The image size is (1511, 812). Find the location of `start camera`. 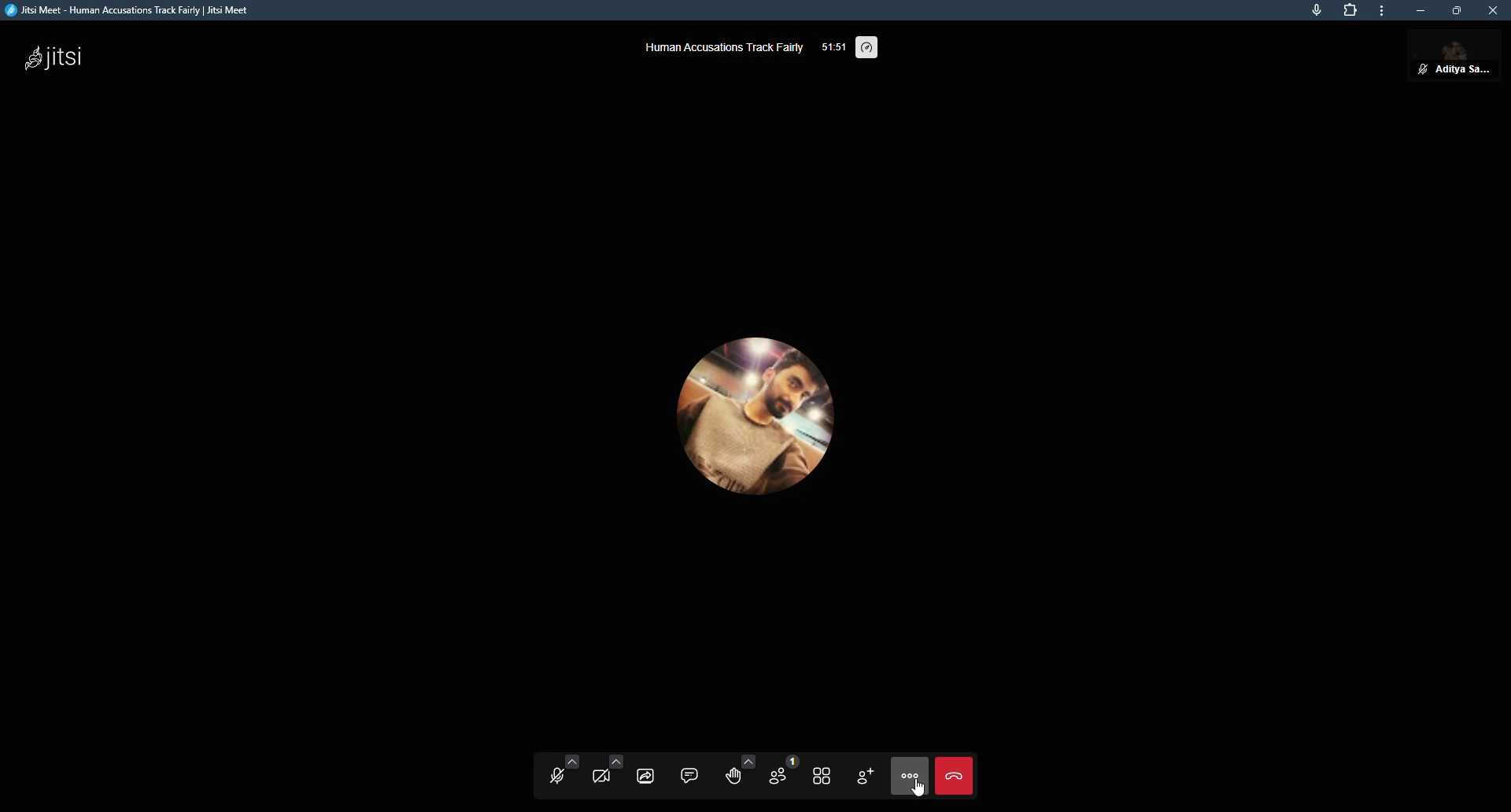

start camera is located at coordinates (602, 773).